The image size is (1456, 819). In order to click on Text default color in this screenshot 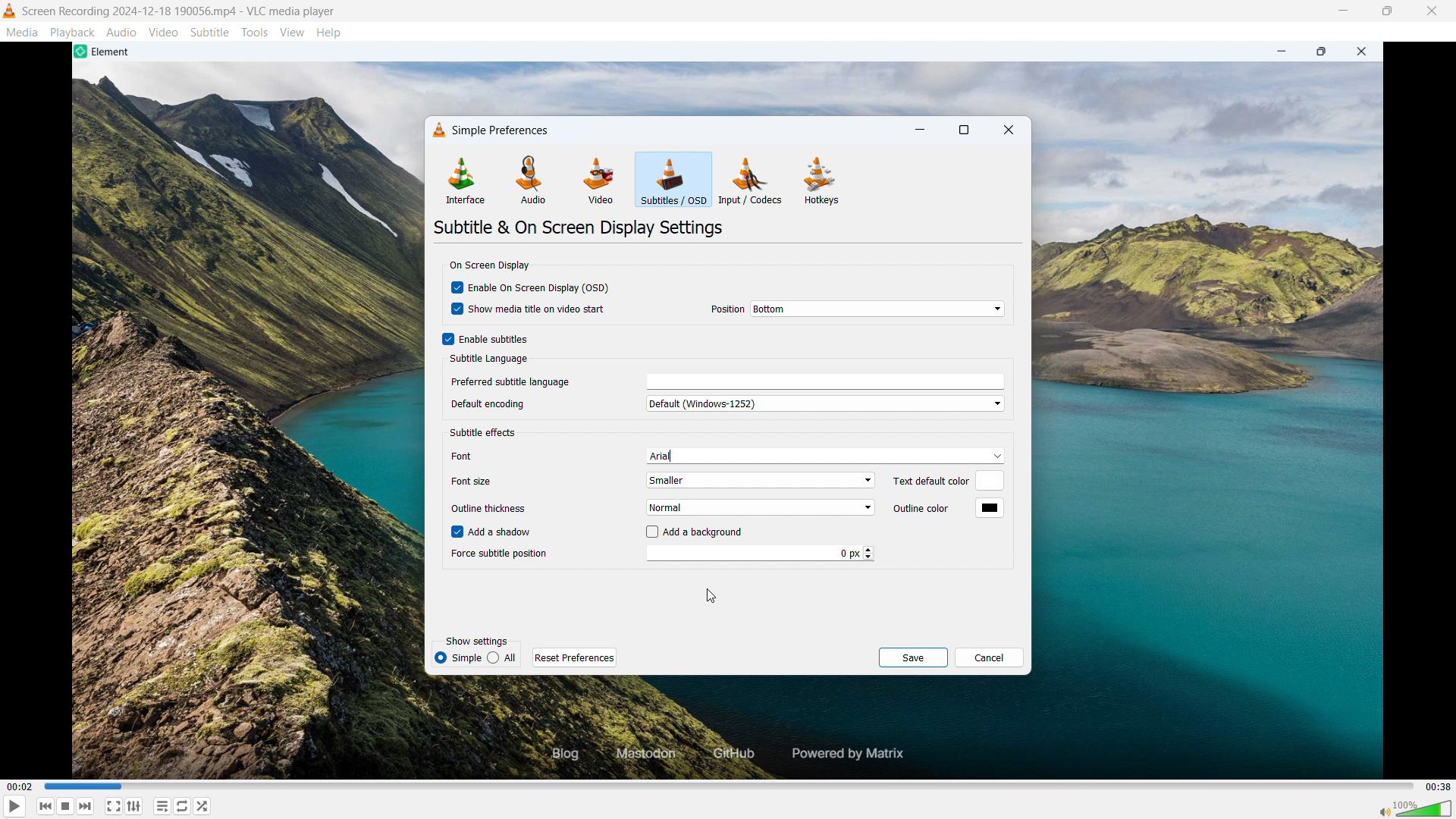, I will do `click(925, 482)`.